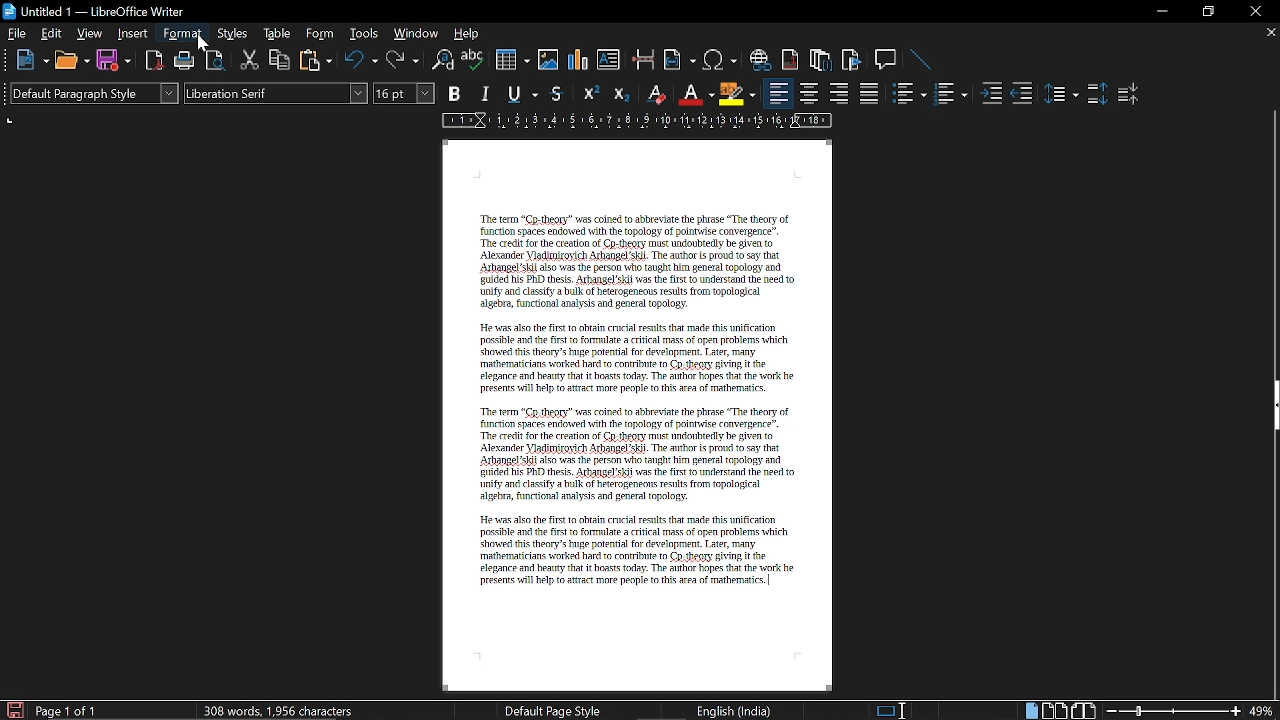 This screenshot has width=1280, height=720. I want to click on Align left, so click(778, 93).